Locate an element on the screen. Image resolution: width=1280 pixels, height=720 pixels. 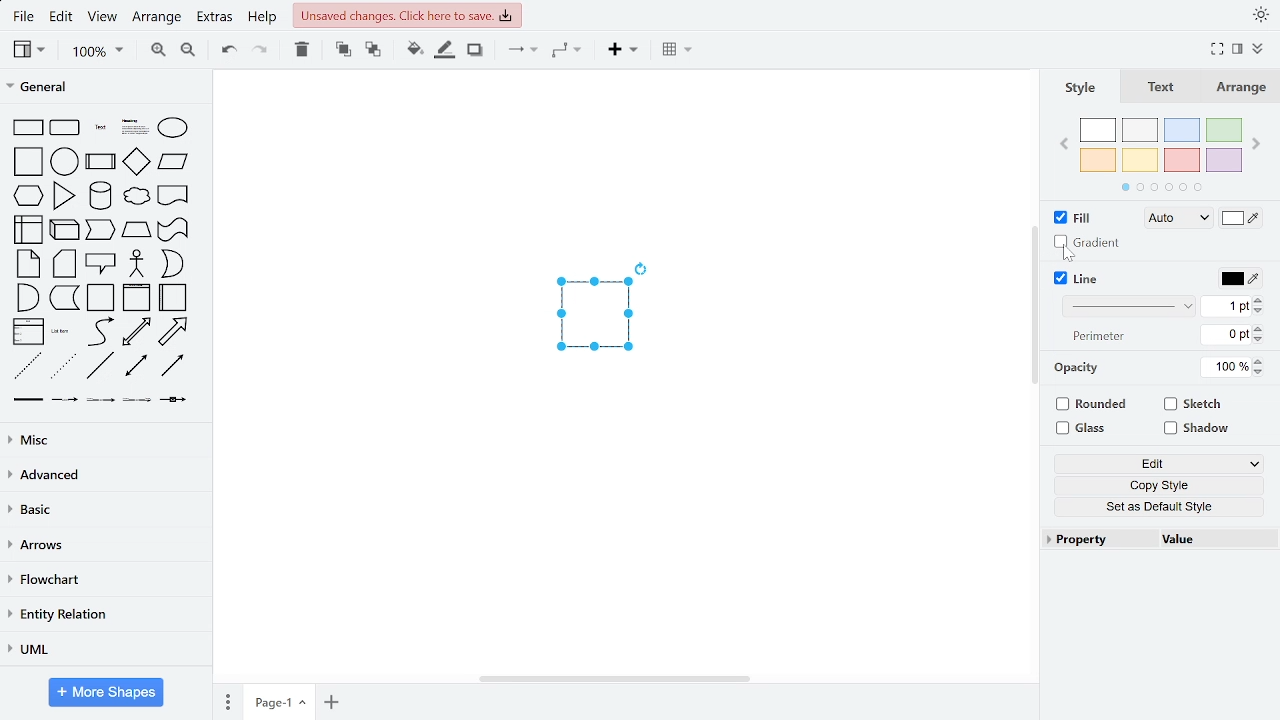
general shapes is located at coordinates (27, 330).